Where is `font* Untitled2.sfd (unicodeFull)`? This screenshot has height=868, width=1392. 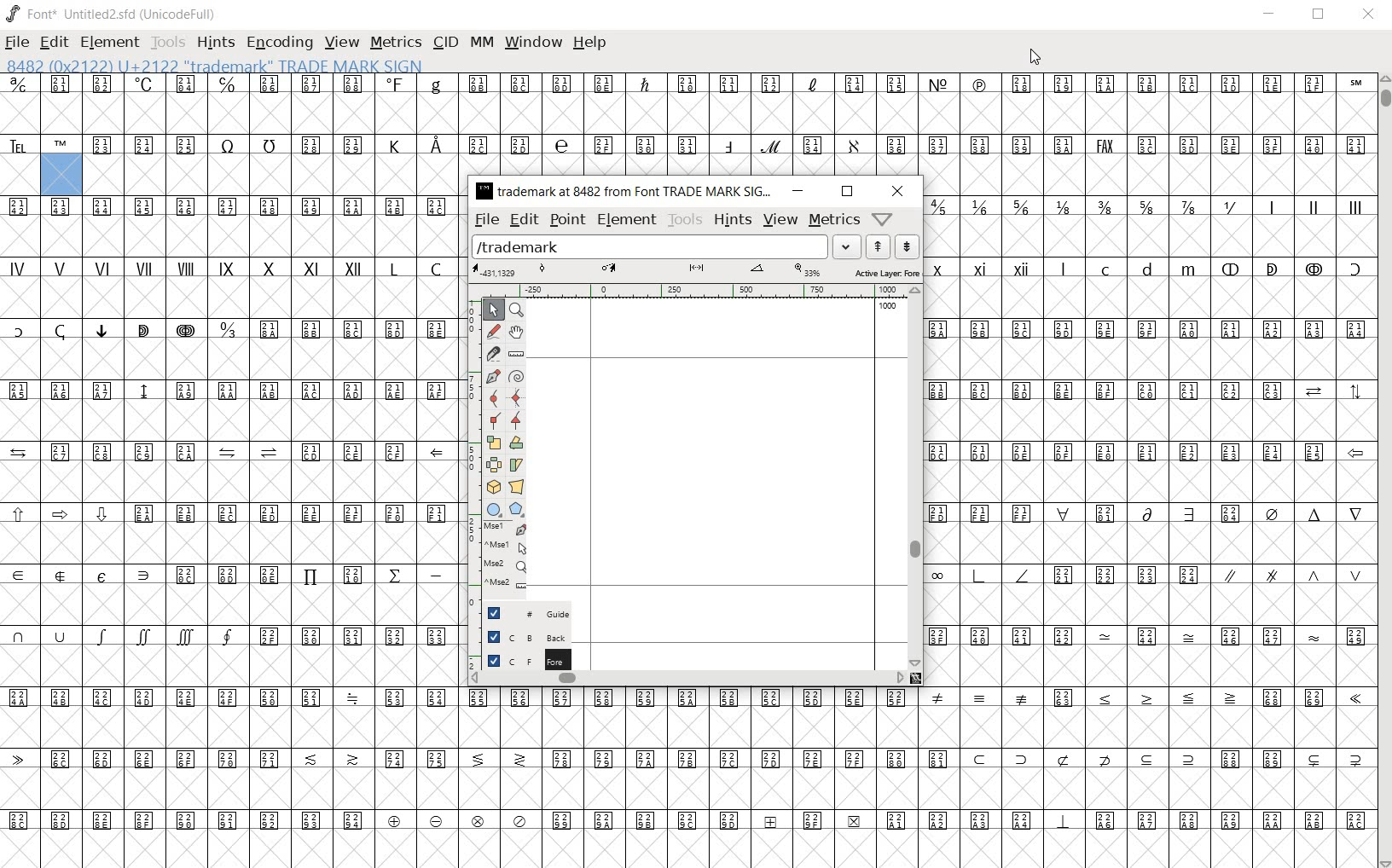
font* Untitled2.sfd (unicodeFull) is located at coordinates (110, 14).